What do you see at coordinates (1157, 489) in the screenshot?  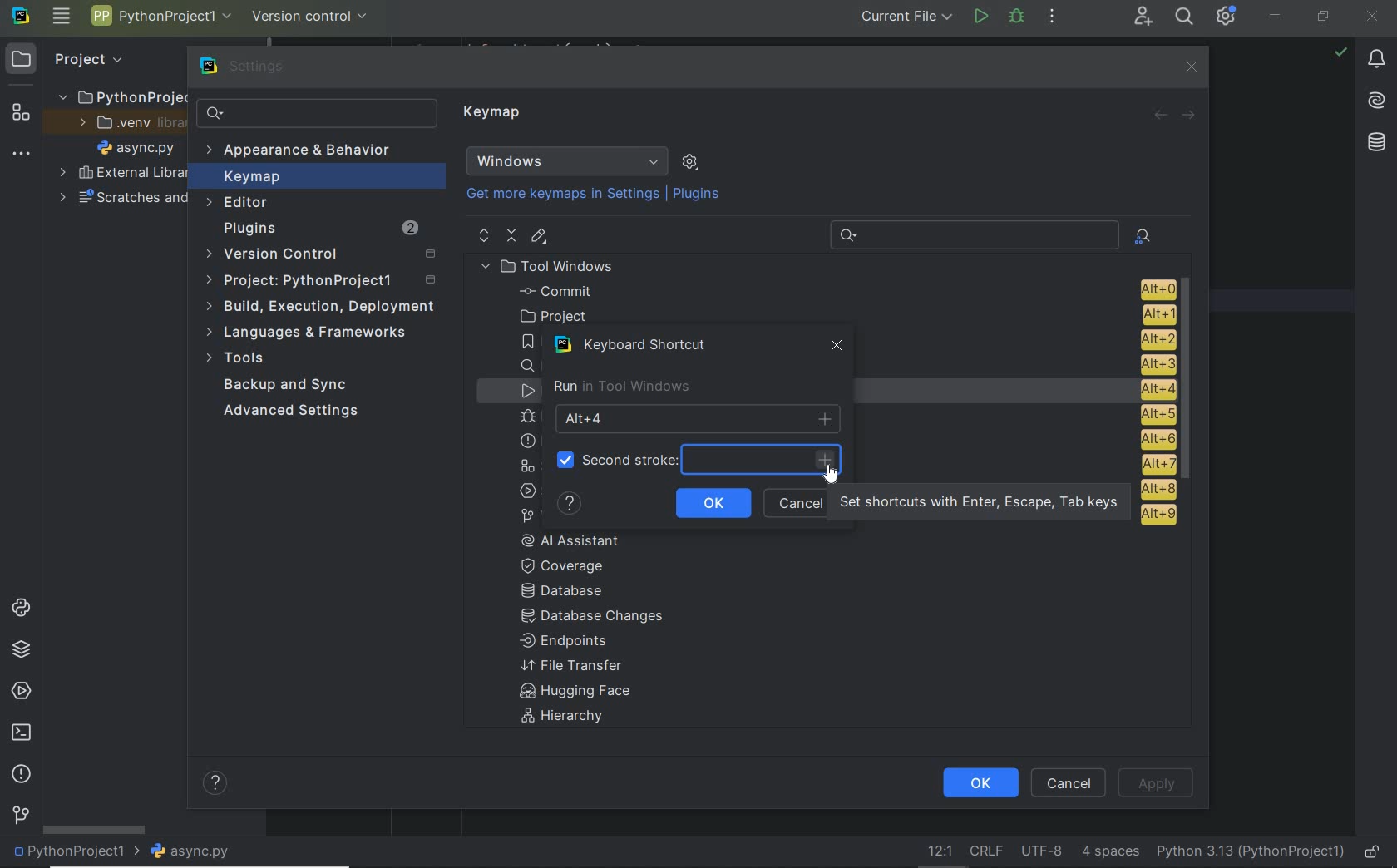 I see `alt + 8` at bounding box center [1157, 489].